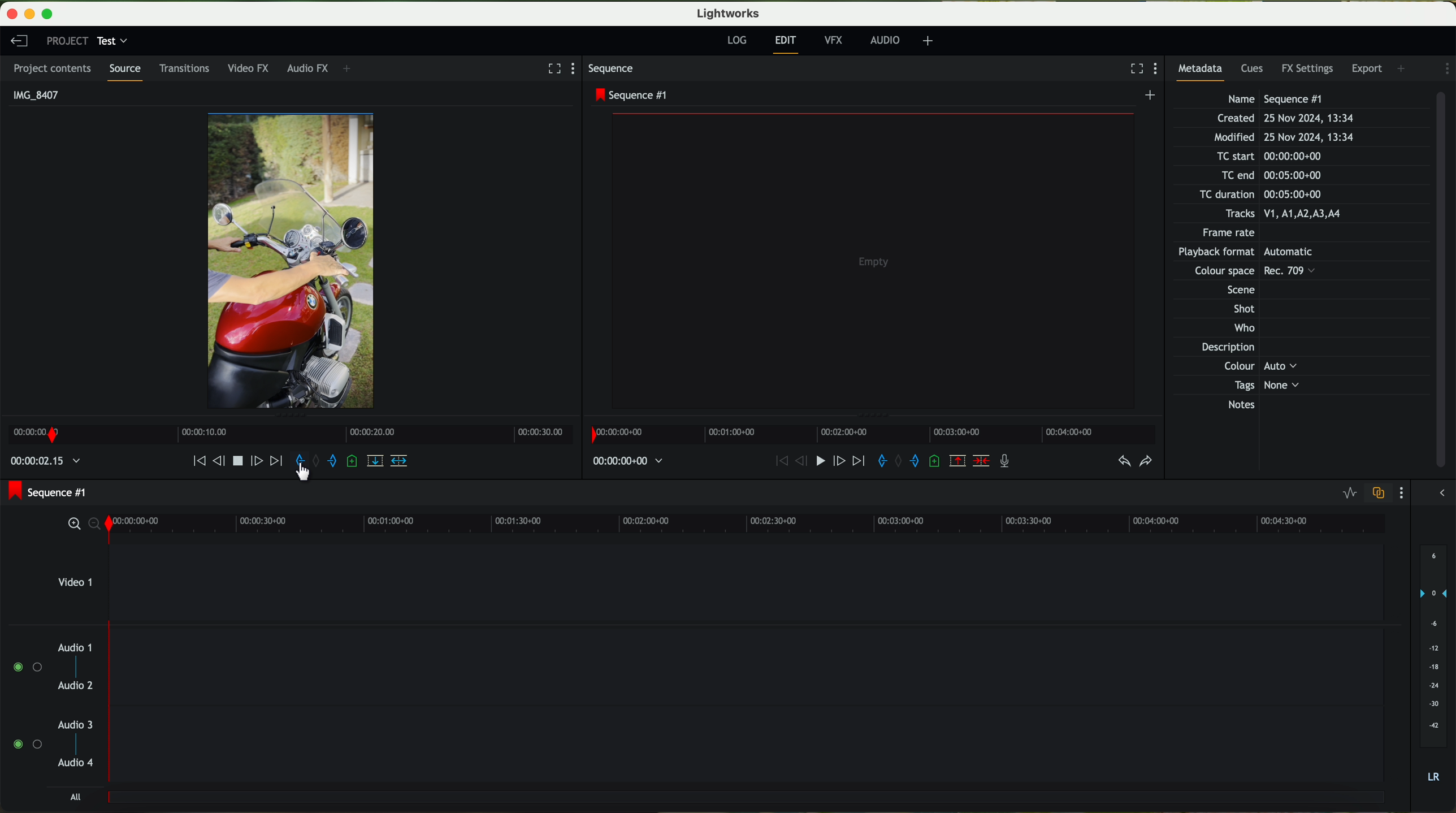  Describe the element at coordinates (749, 663) in the screenshot. I see `track` at that location.